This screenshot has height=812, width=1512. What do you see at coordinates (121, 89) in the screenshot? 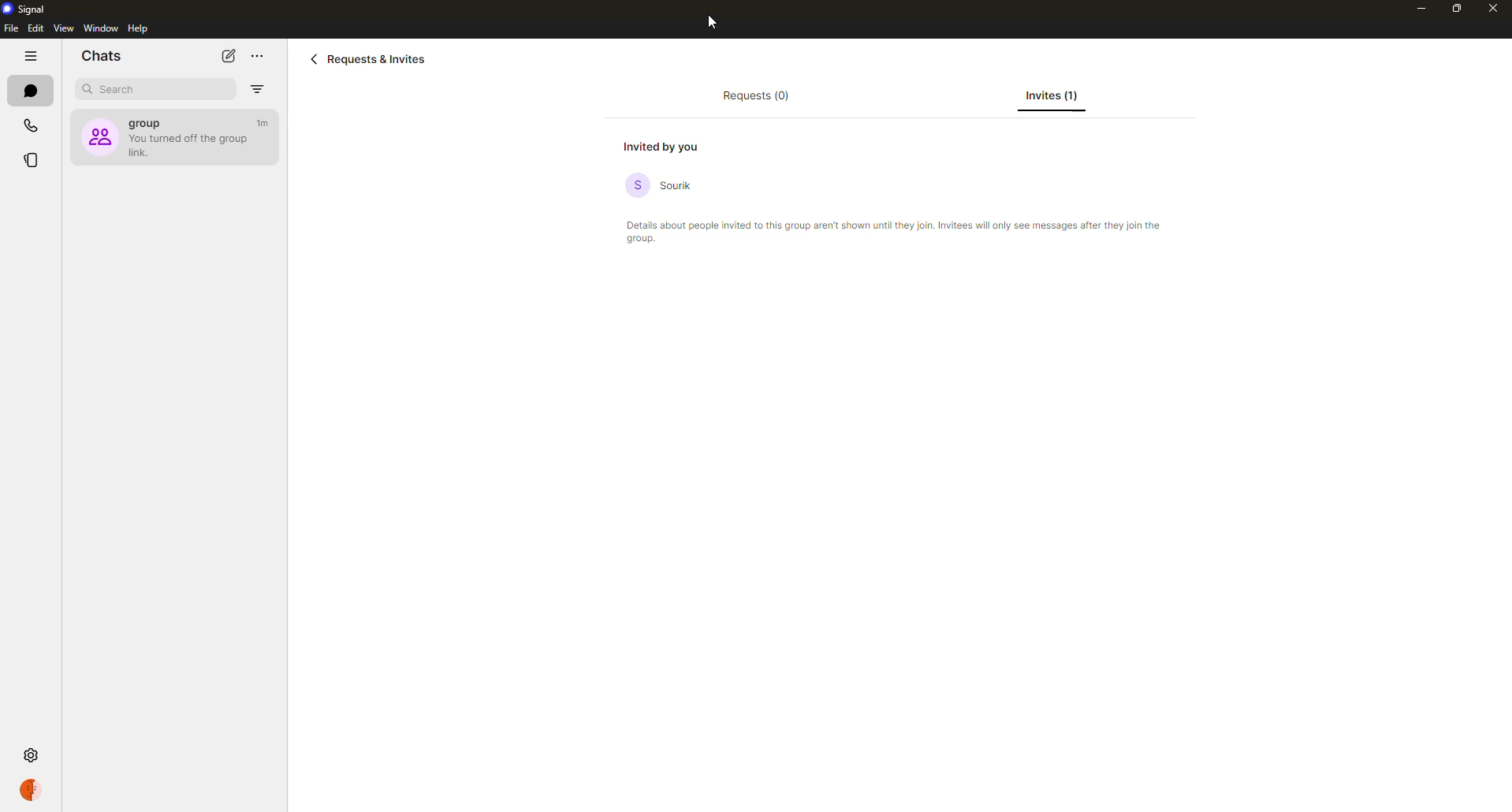
I see `search` at bounding box center [121, 89].